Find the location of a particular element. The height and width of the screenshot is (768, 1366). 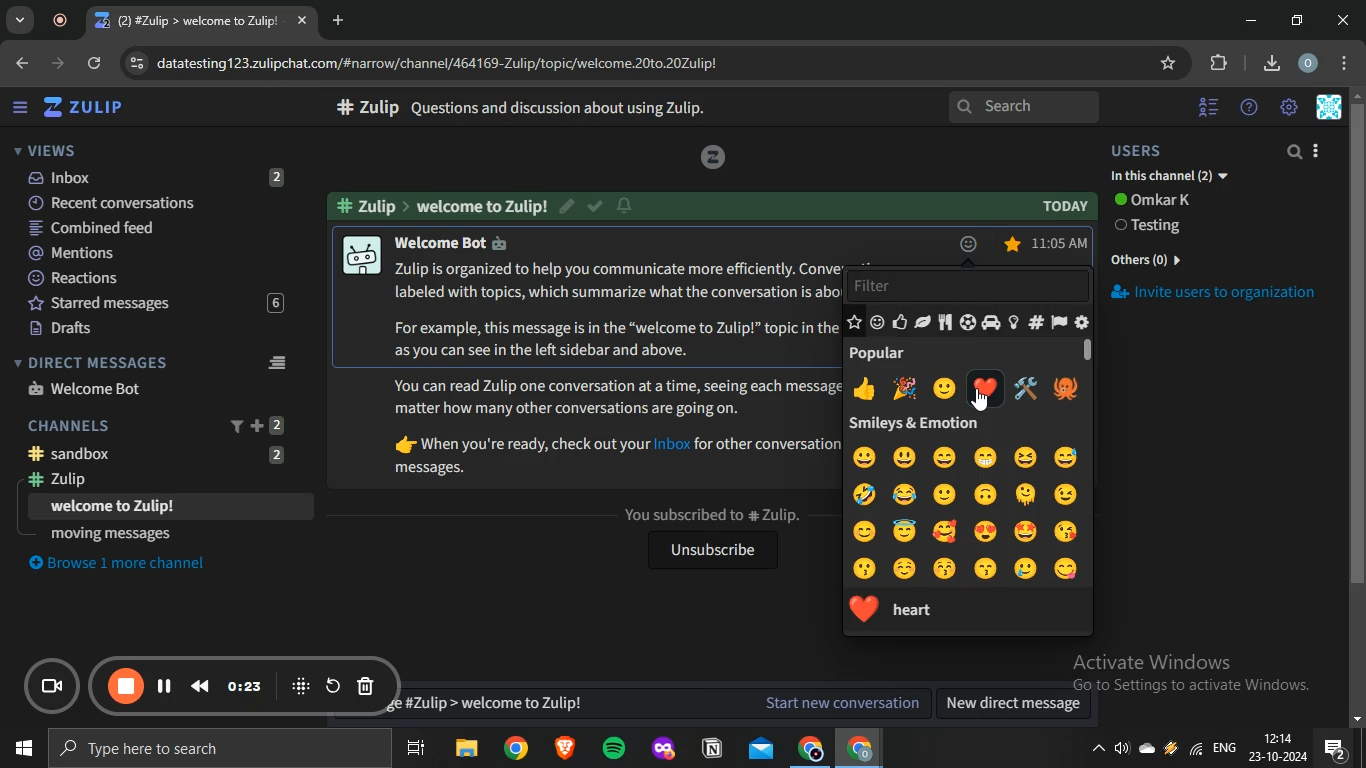

search is located at coordinates (1026, 108).